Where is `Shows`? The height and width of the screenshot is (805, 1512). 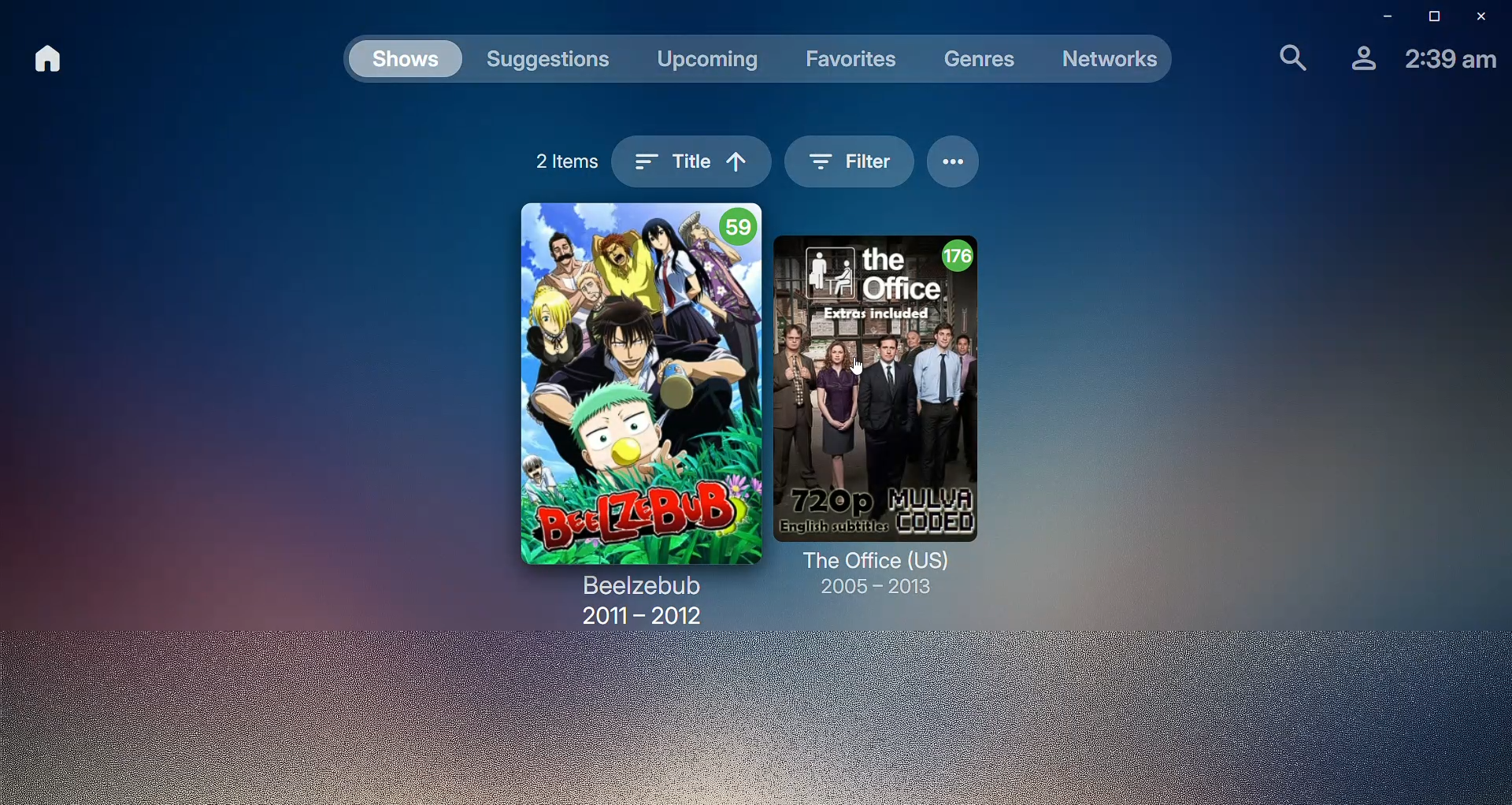
Shows is located at coordinates (408, 61).